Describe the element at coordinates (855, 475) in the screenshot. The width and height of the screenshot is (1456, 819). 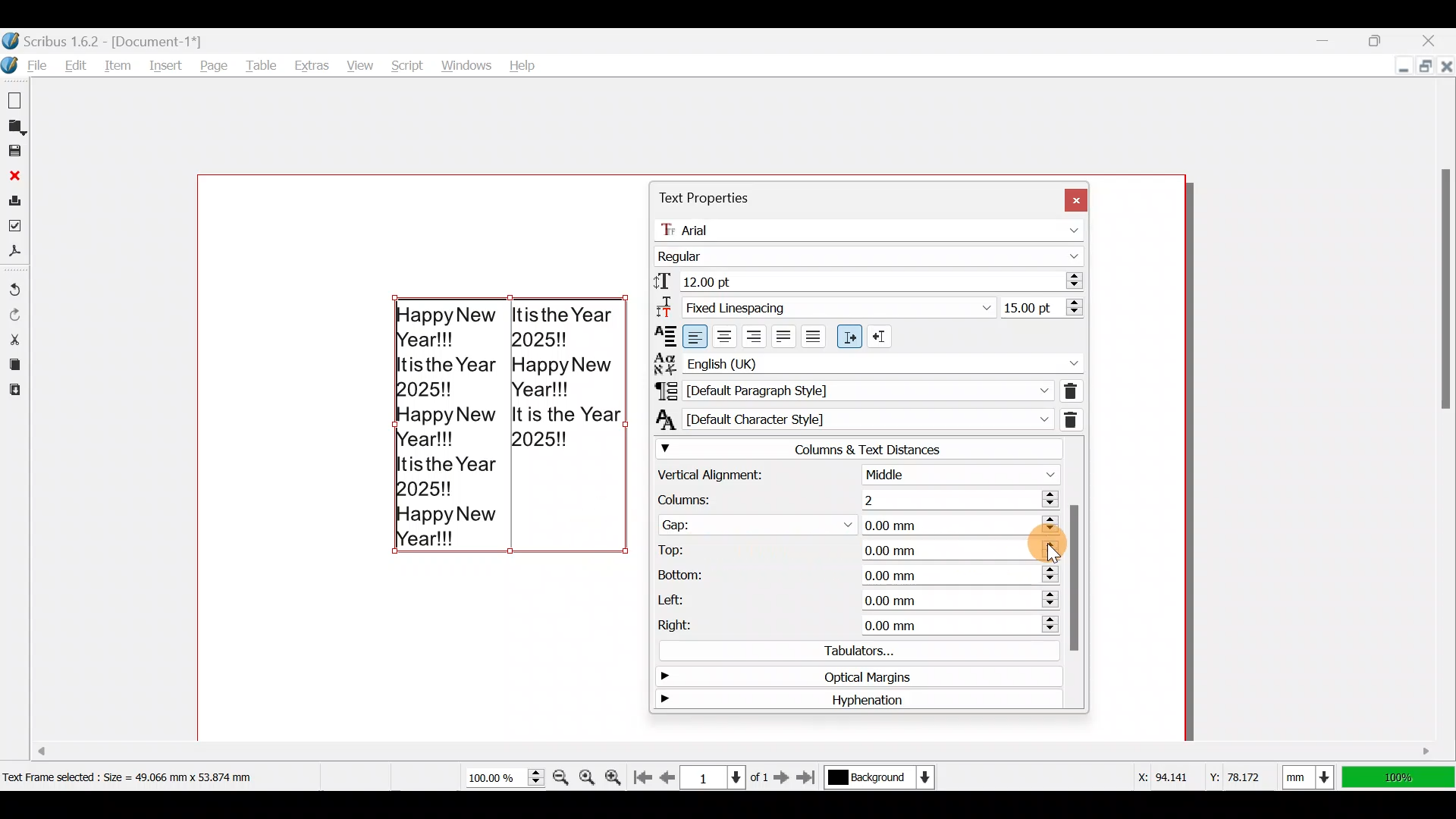
I see `Vertical alignment` at that location.